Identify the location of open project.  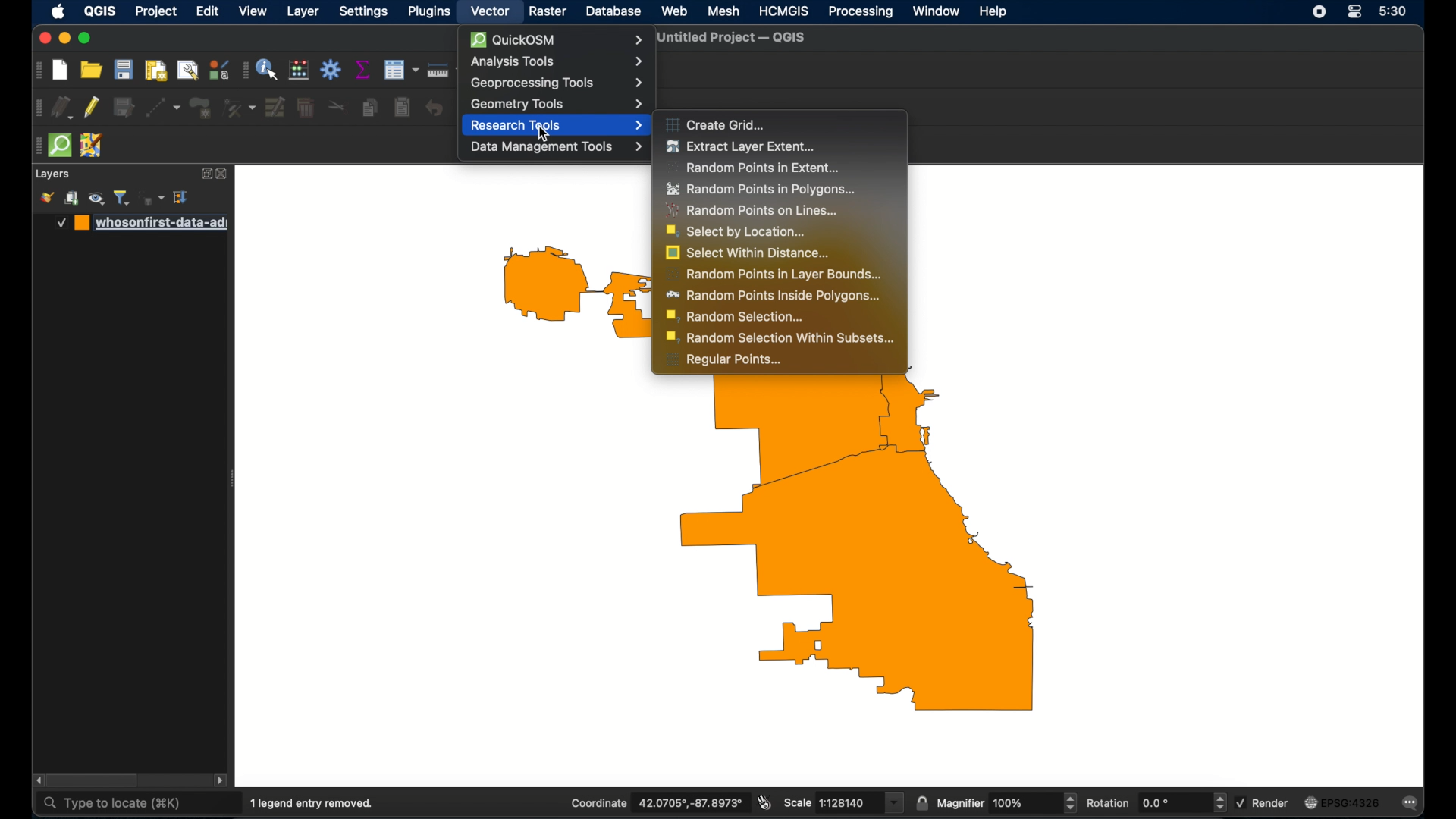
(92, 69).